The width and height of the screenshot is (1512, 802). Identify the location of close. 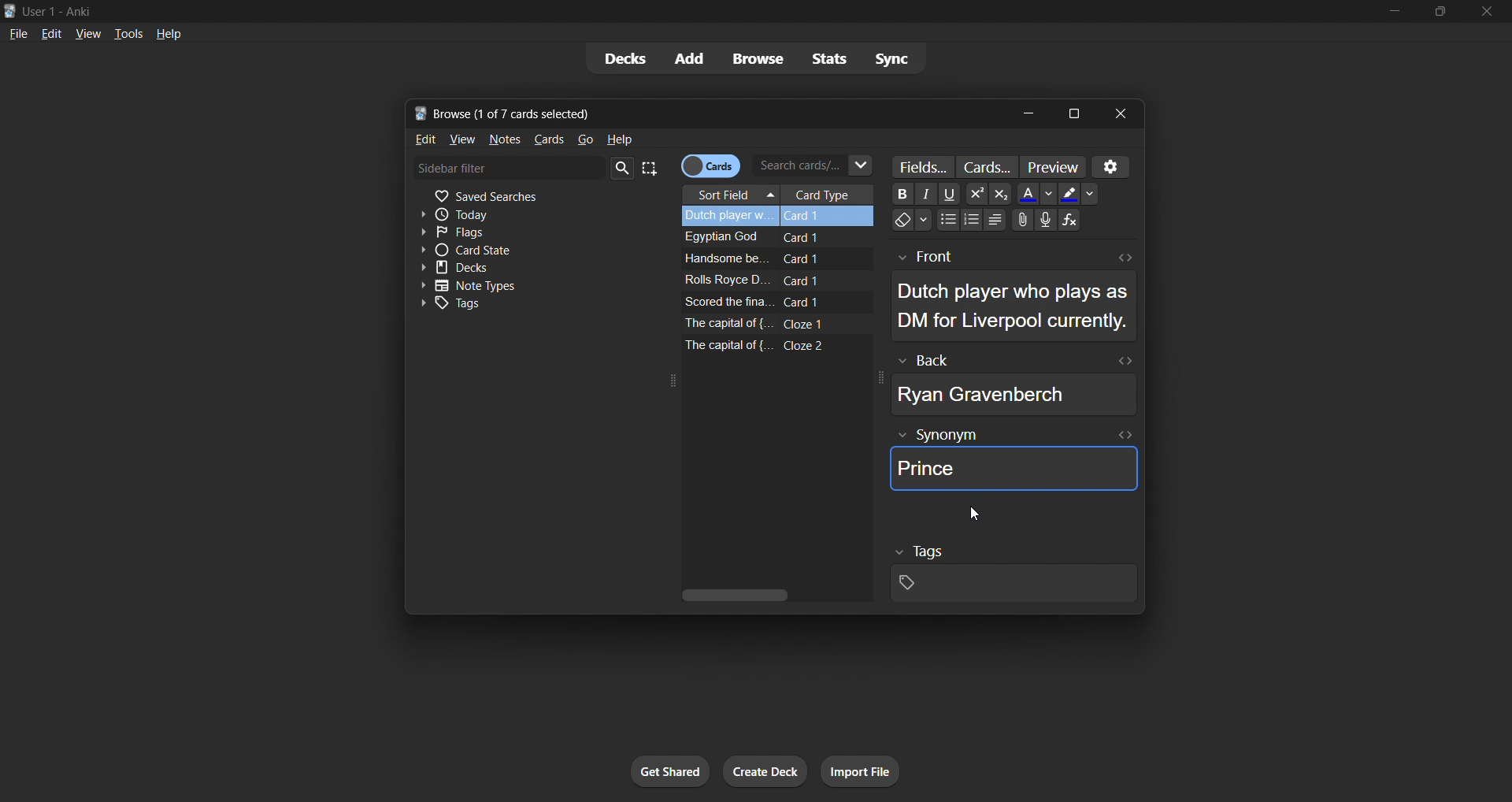
(1484, 12).